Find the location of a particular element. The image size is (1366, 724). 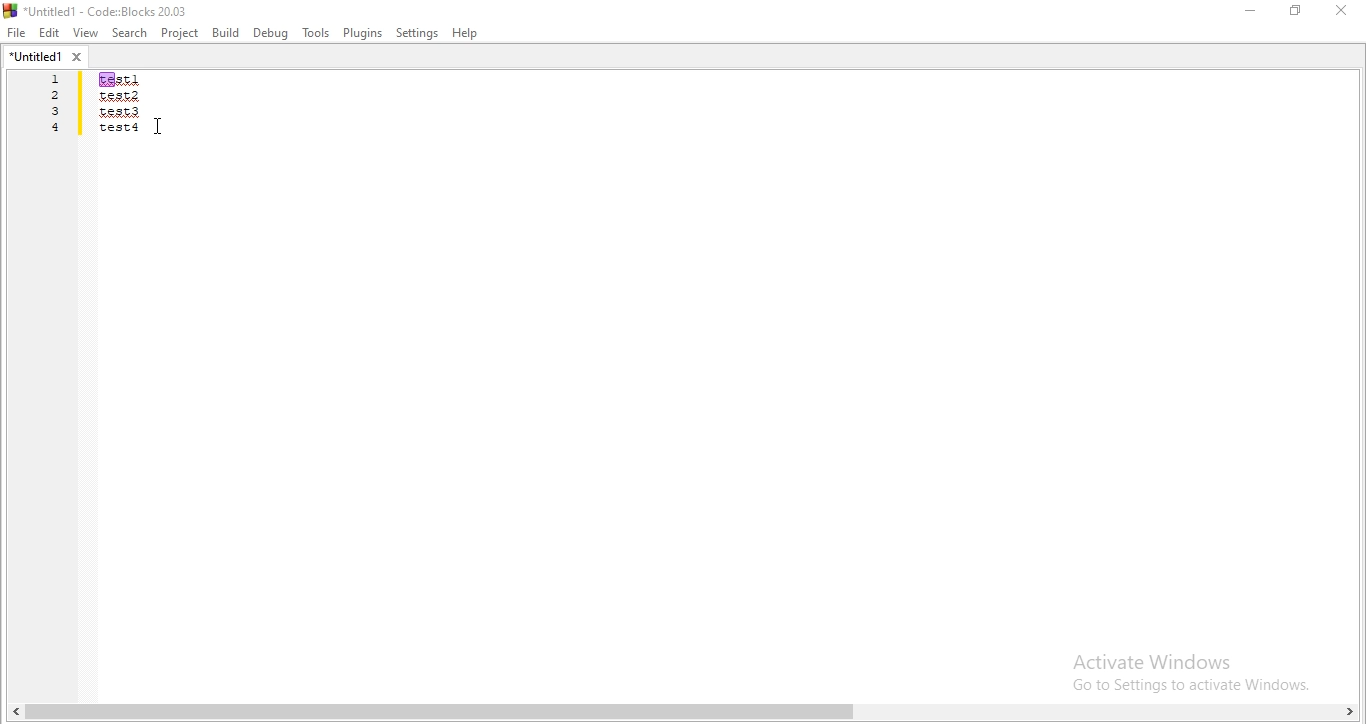

Edit  is located at coordinates (48, 32).